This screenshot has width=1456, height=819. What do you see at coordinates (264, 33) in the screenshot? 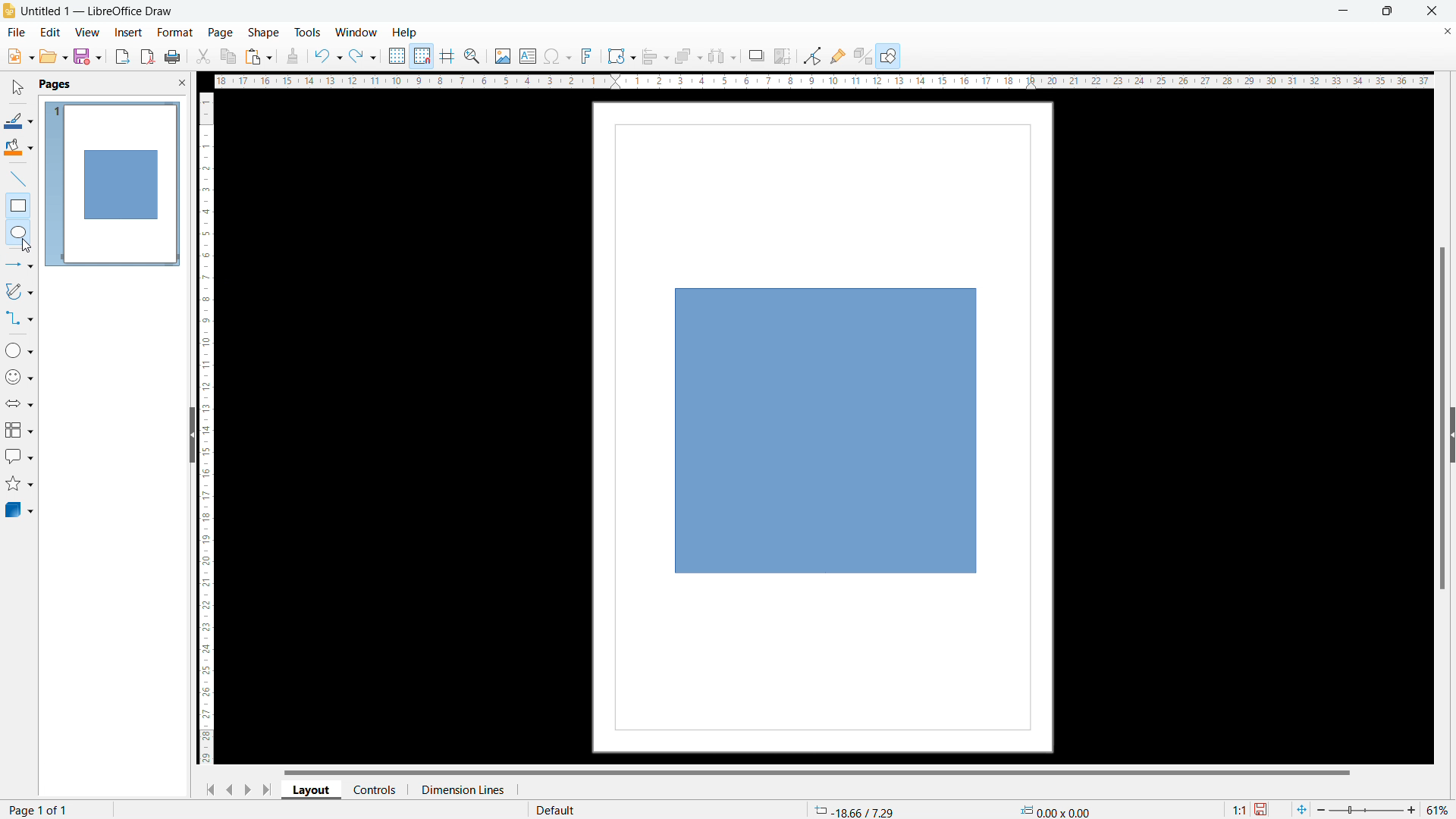
I see `shape` at bounding box center [264, 33].